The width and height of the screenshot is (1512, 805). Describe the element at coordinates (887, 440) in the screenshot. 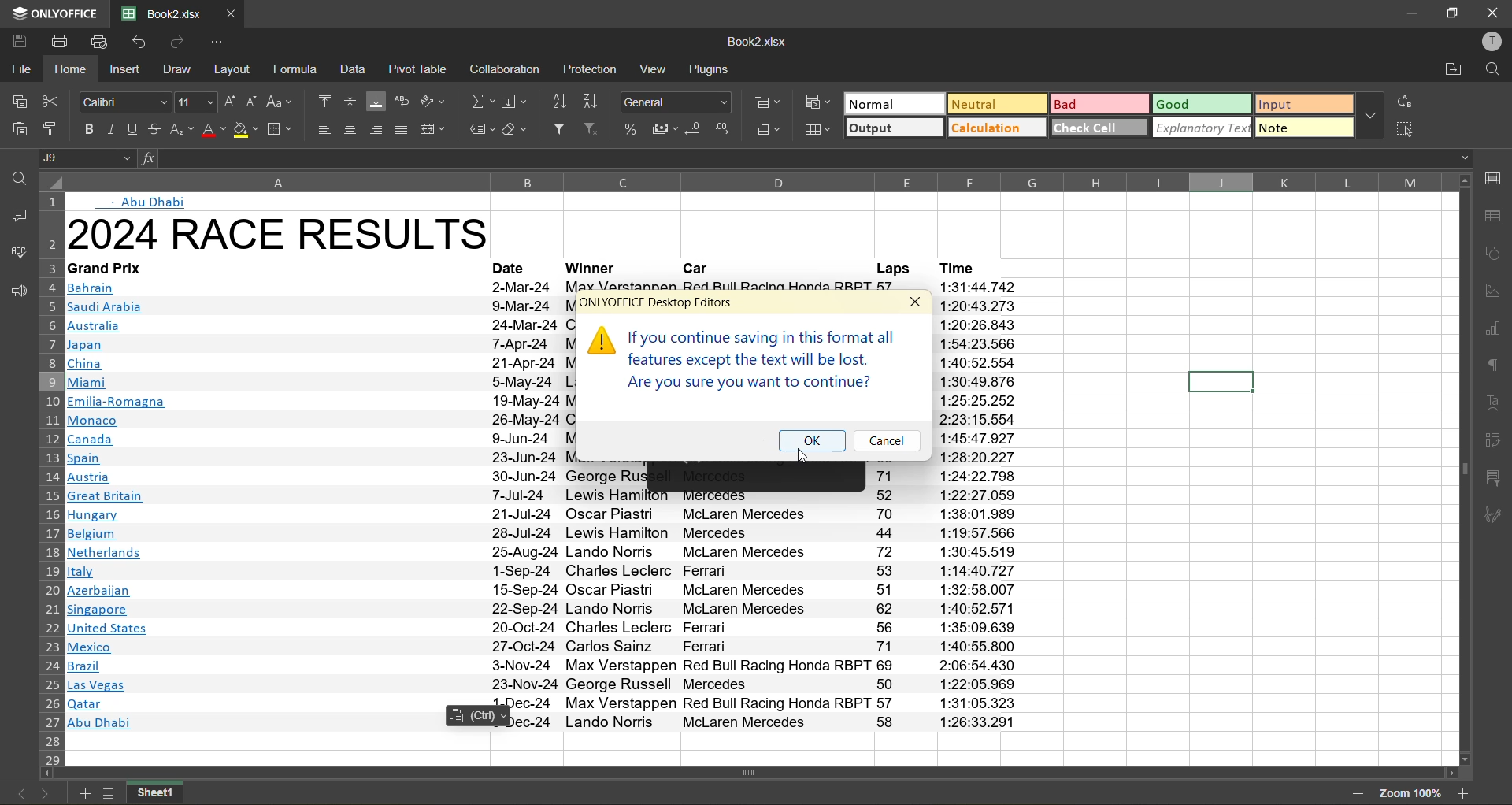

I see `cancel` at that location.